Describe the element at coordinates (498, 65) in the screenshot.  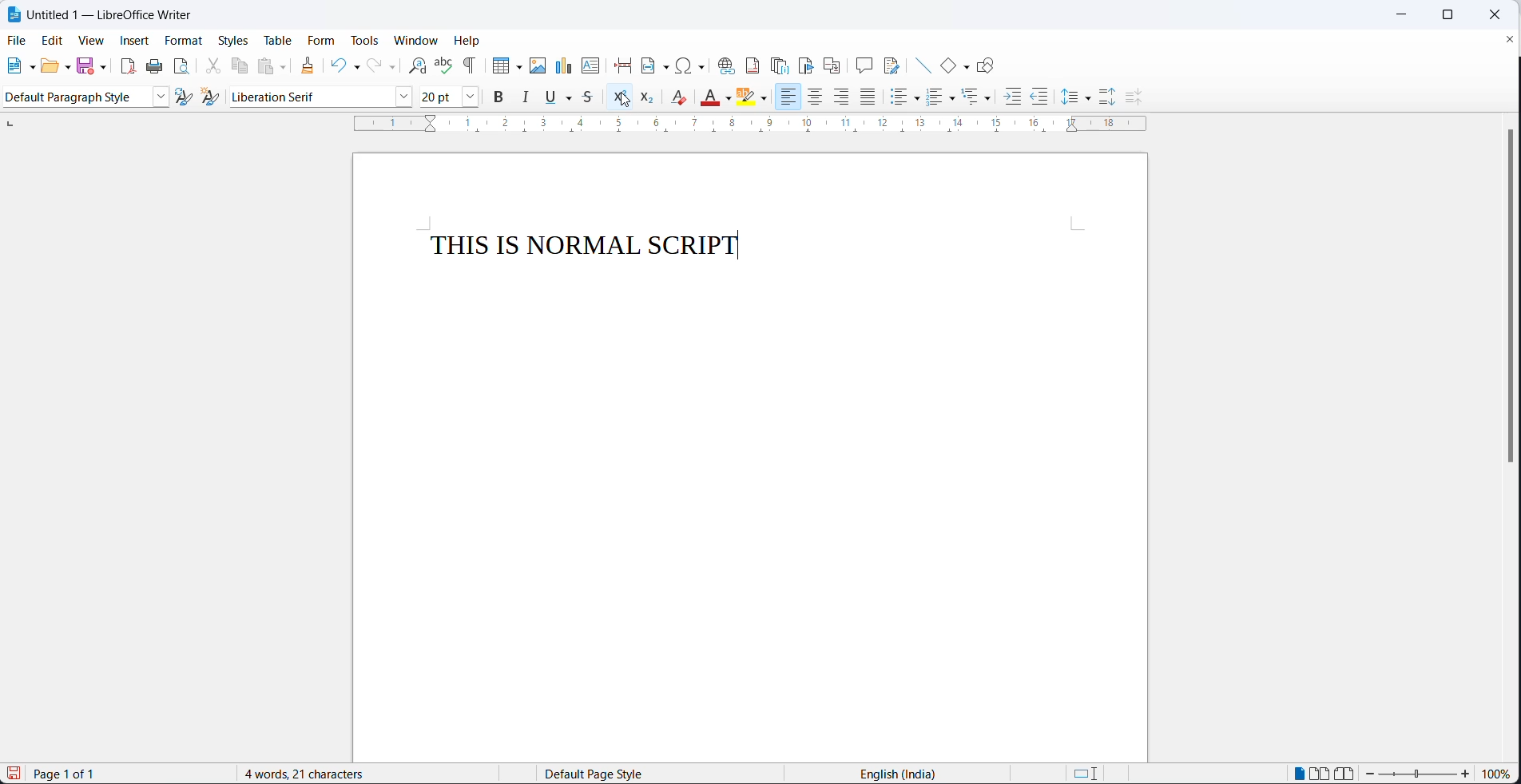
I see `insert table` at that location.